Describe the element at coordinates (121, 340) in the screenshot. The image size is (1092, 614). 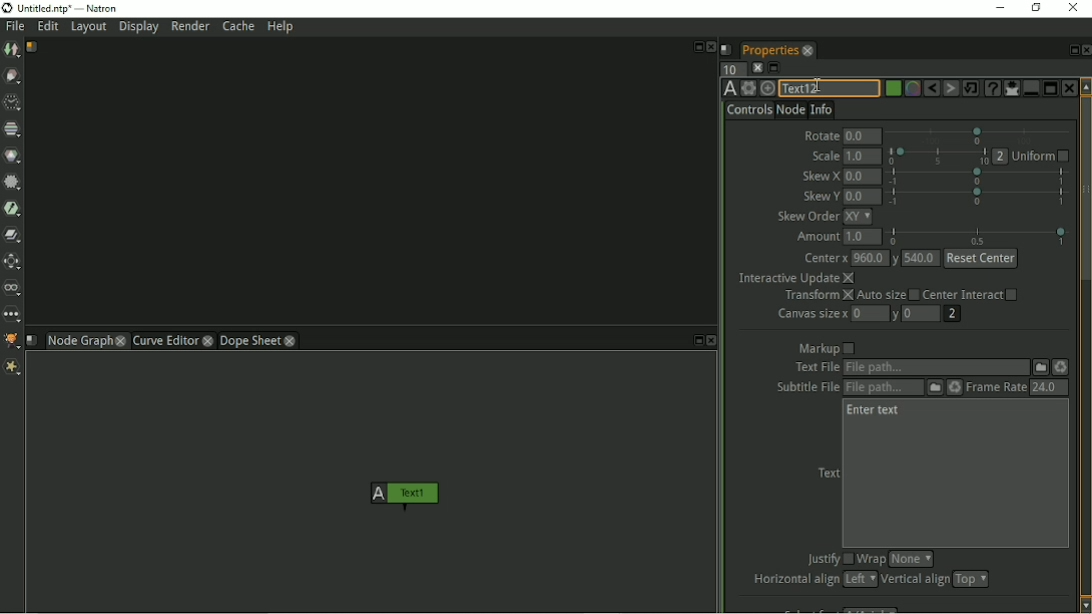
I see `close` at that location.